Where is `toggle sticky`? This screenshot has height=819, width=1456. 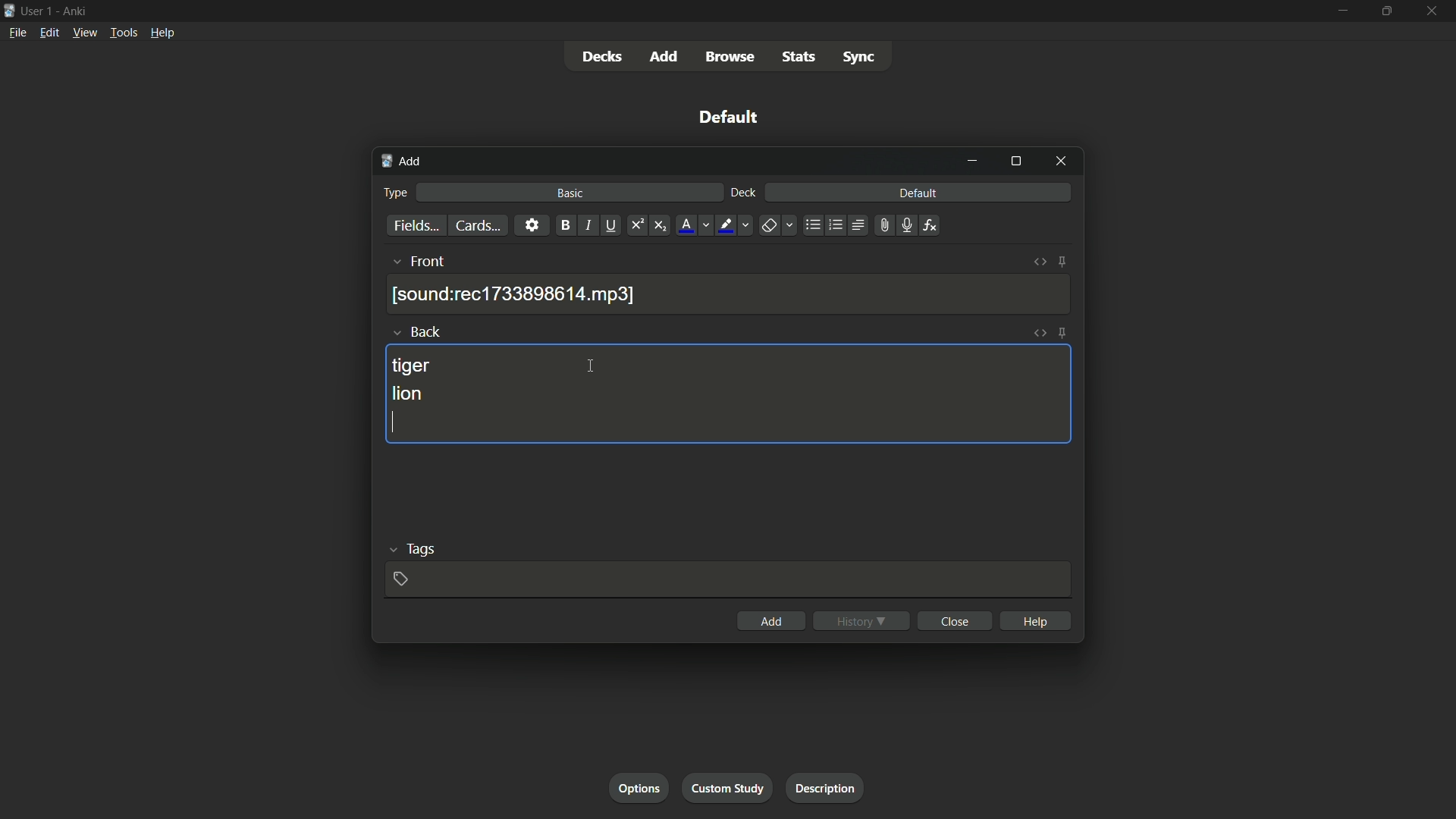
toggle sticky is located at coordinates (1062, 262).